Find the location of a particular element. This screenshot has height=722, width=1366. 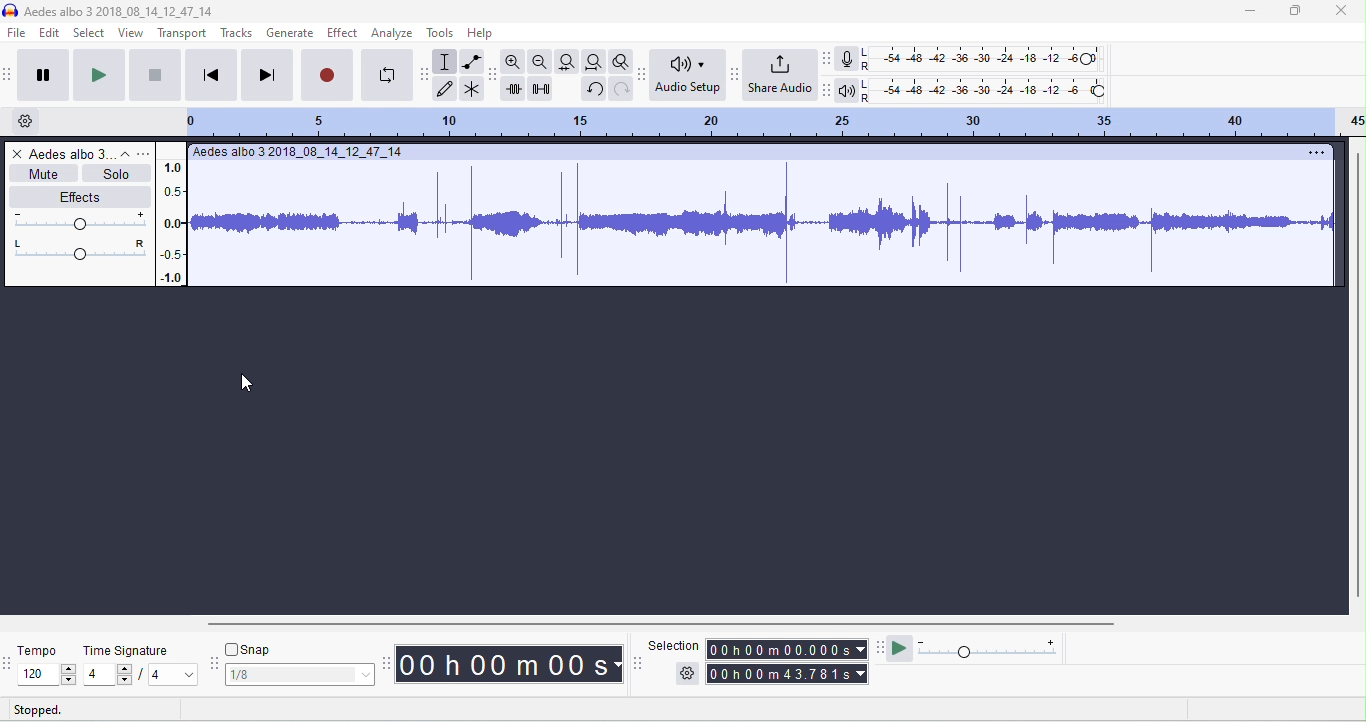

redo is located at coordinates (622, 89).